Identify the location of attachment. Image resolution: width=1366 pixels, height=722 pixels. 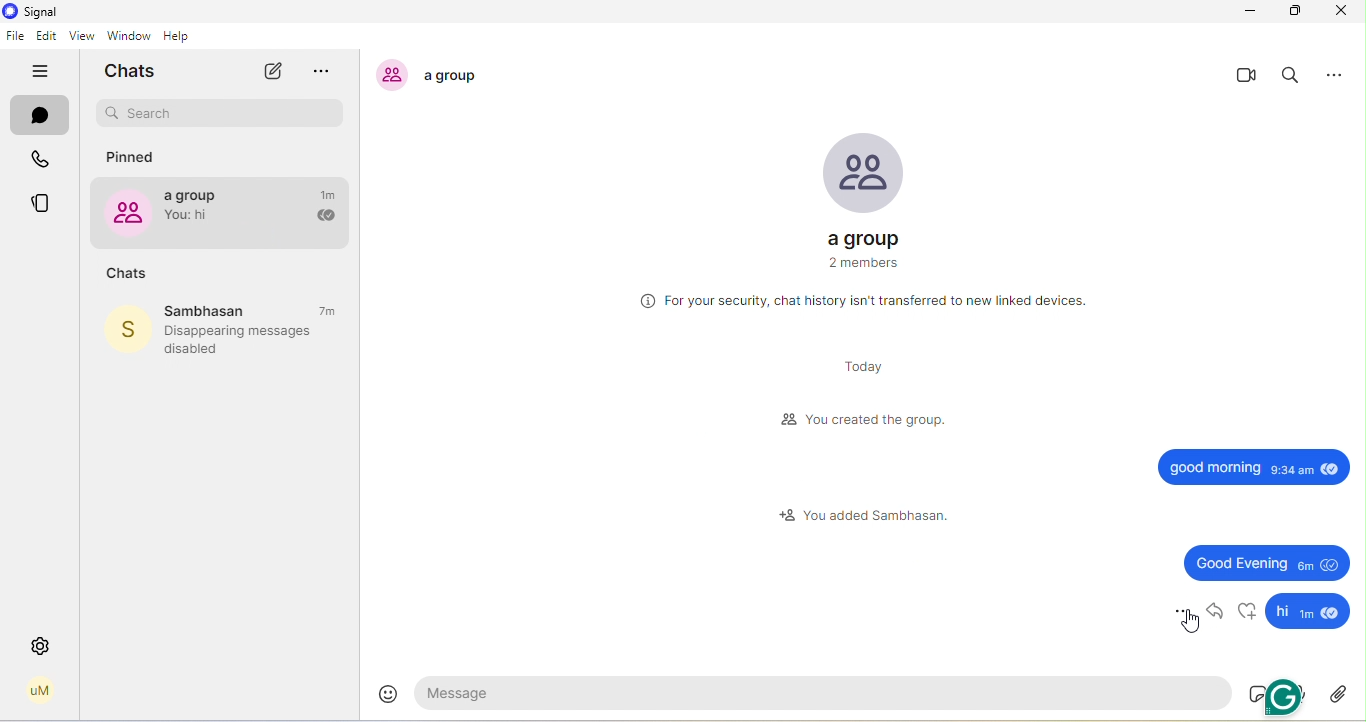
(1340, 693).